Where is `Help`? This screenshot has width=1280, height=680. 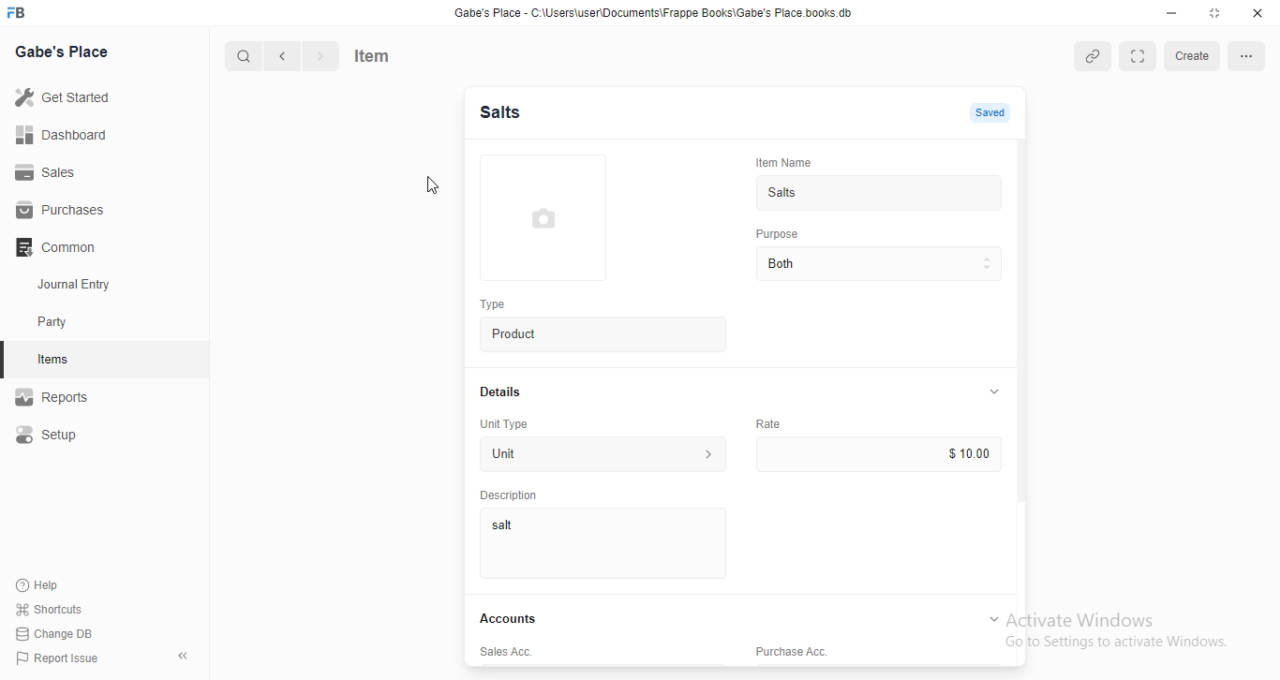
Help is located at coordinates (46, 585).